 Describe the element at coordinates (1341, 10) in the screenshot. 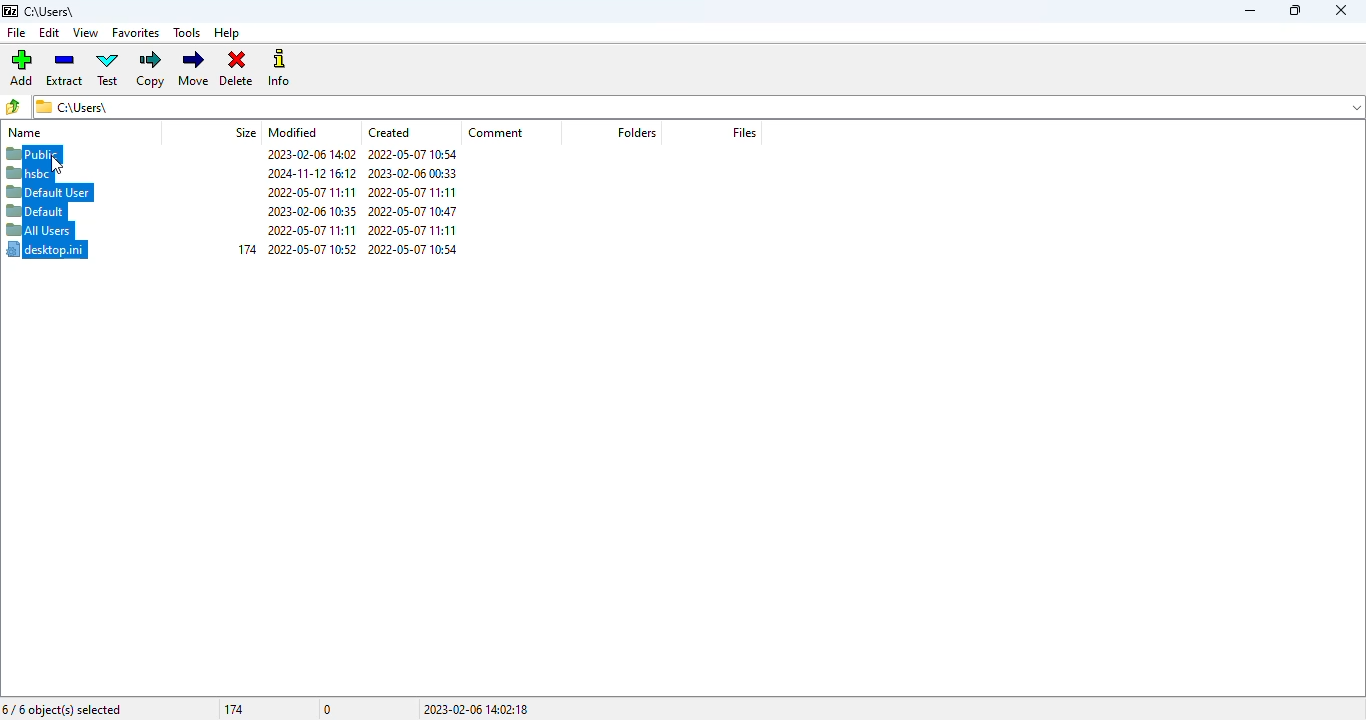

I see `close` at that location.